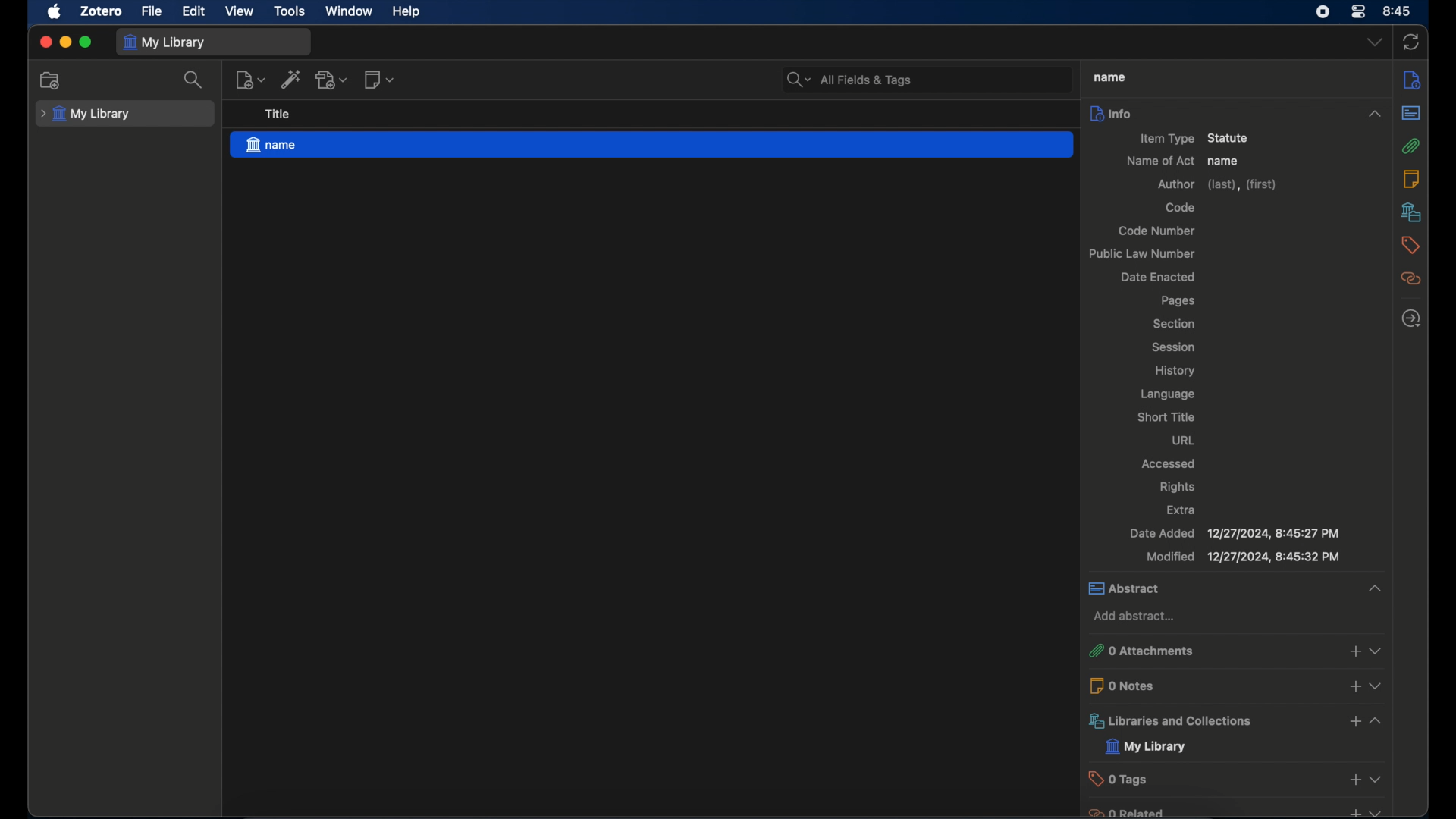 Image resolution: width=1456 pixels, height=819 pixels. Describe the element at coordinates (196, 81) in the screenshot. I see `search` at that location.